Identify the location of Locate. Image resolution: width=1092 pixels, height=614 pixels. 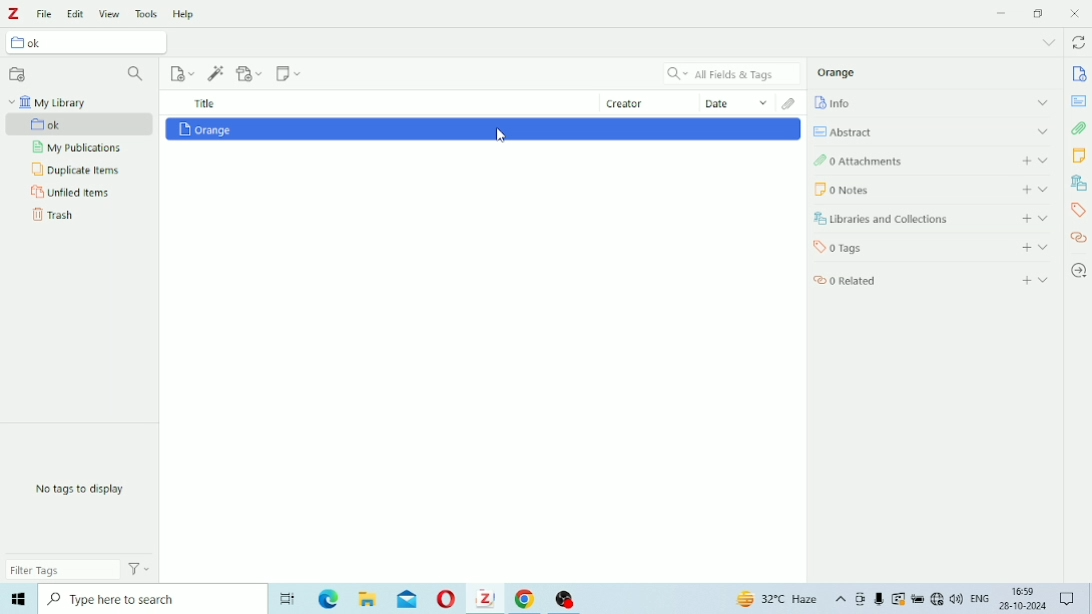
(1078, 271).